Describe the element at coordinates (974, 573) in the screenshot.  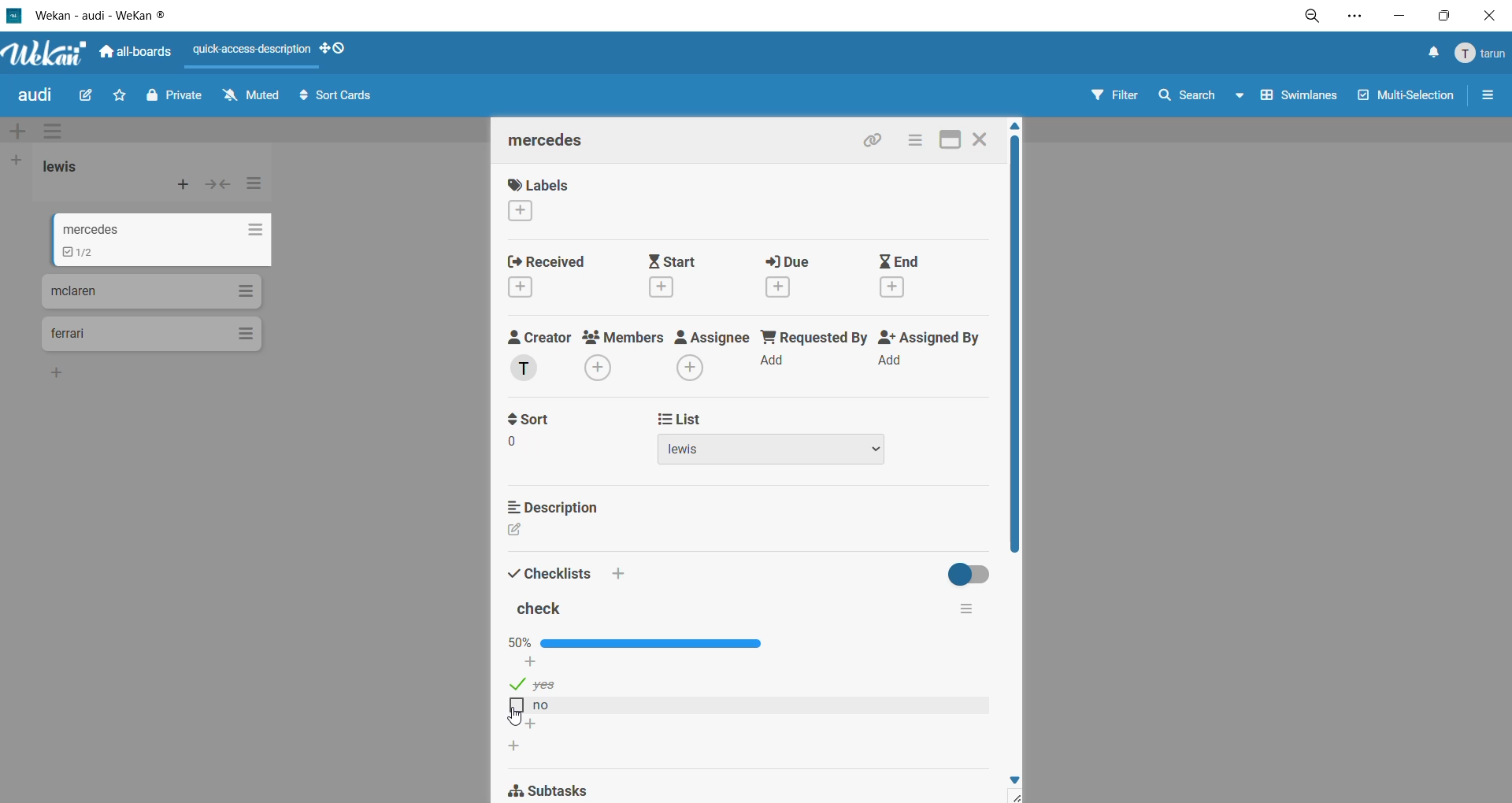
I see `hide completed checklists` at that location.